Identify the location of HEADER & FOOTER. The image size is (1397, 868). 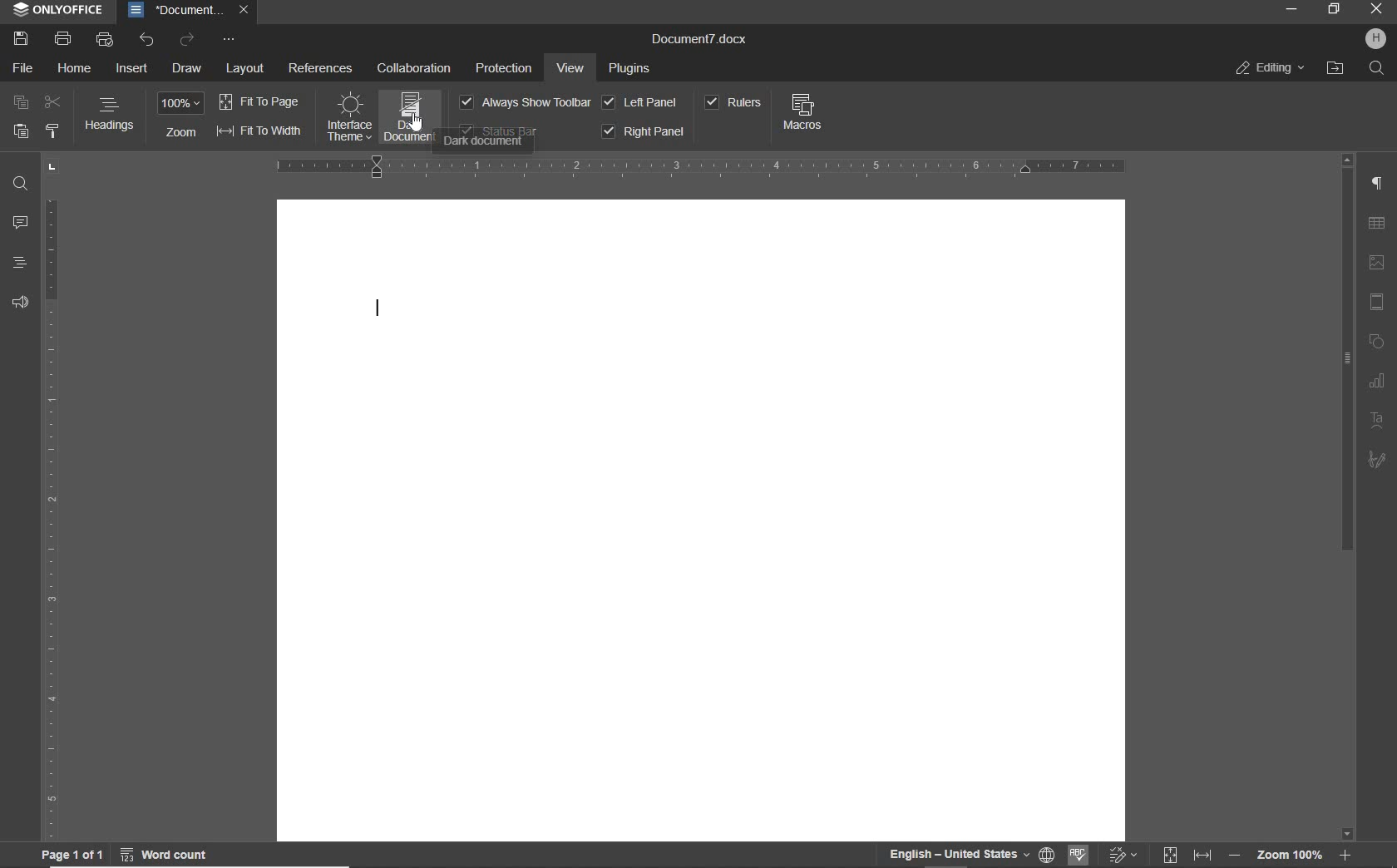
(1377, 301).